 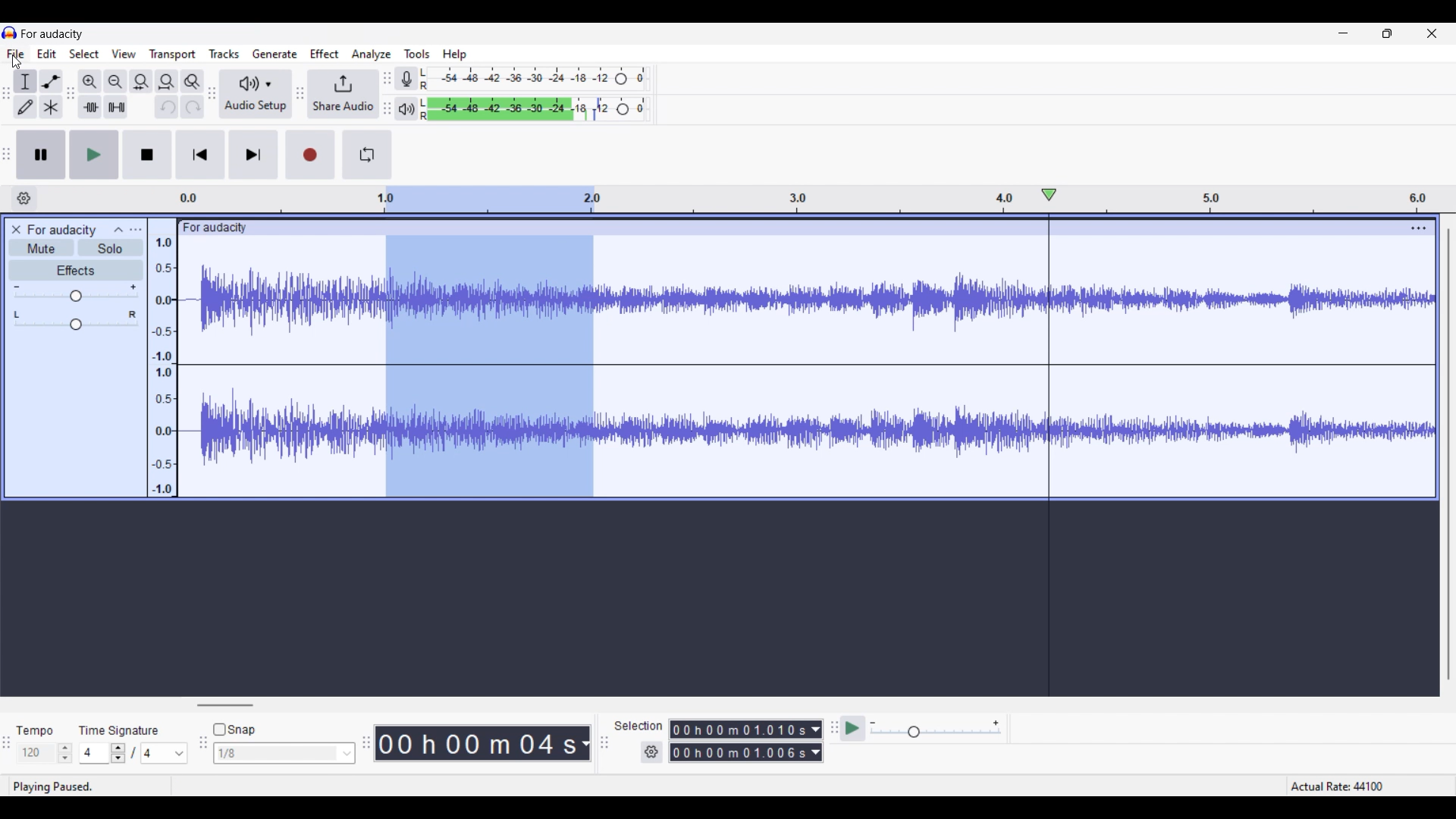 What do you see at coordinates (1050, 441) in the screenshot?
I see `Playhead` at bounding box center [1050, 441].